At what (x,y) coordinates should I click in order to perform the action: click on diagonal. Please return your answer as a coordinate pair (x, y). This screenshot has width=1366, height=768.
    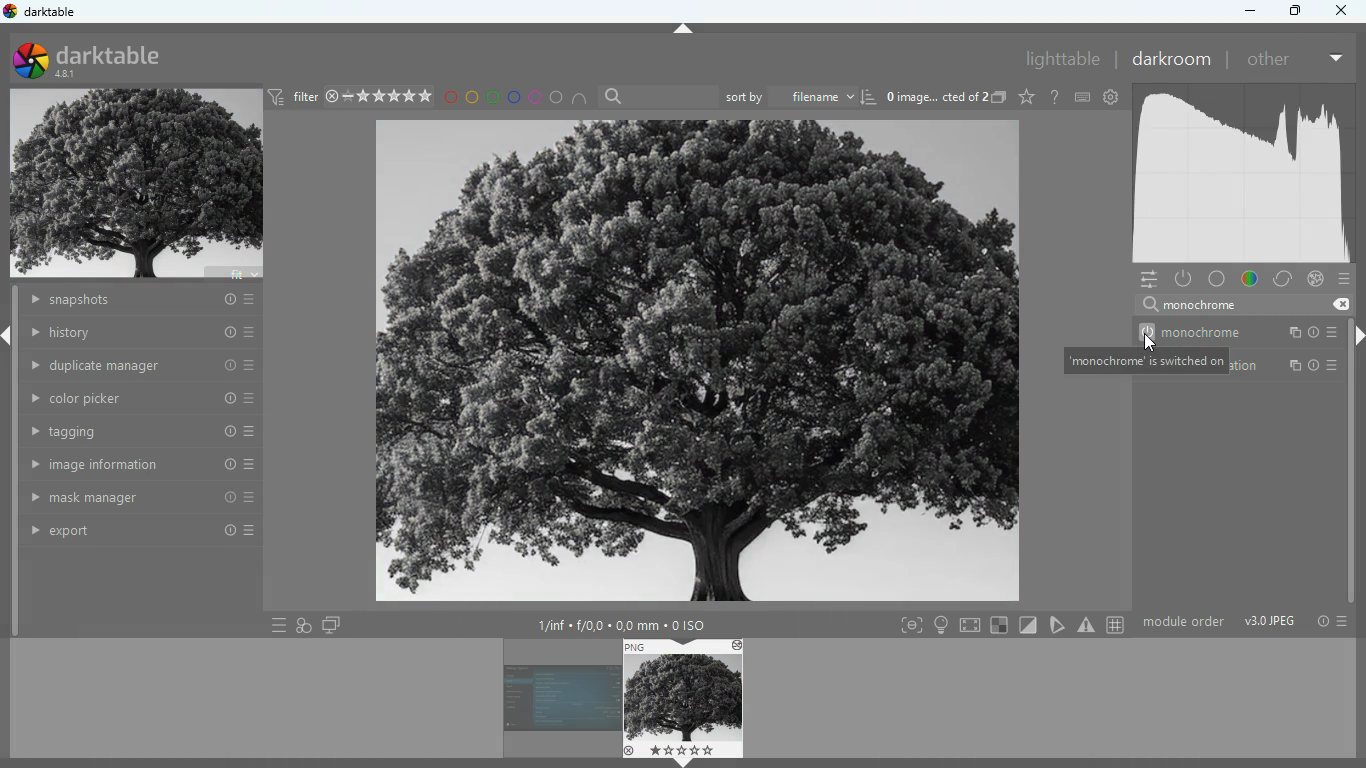
    Looking at the image, I should click on (1028, 626).